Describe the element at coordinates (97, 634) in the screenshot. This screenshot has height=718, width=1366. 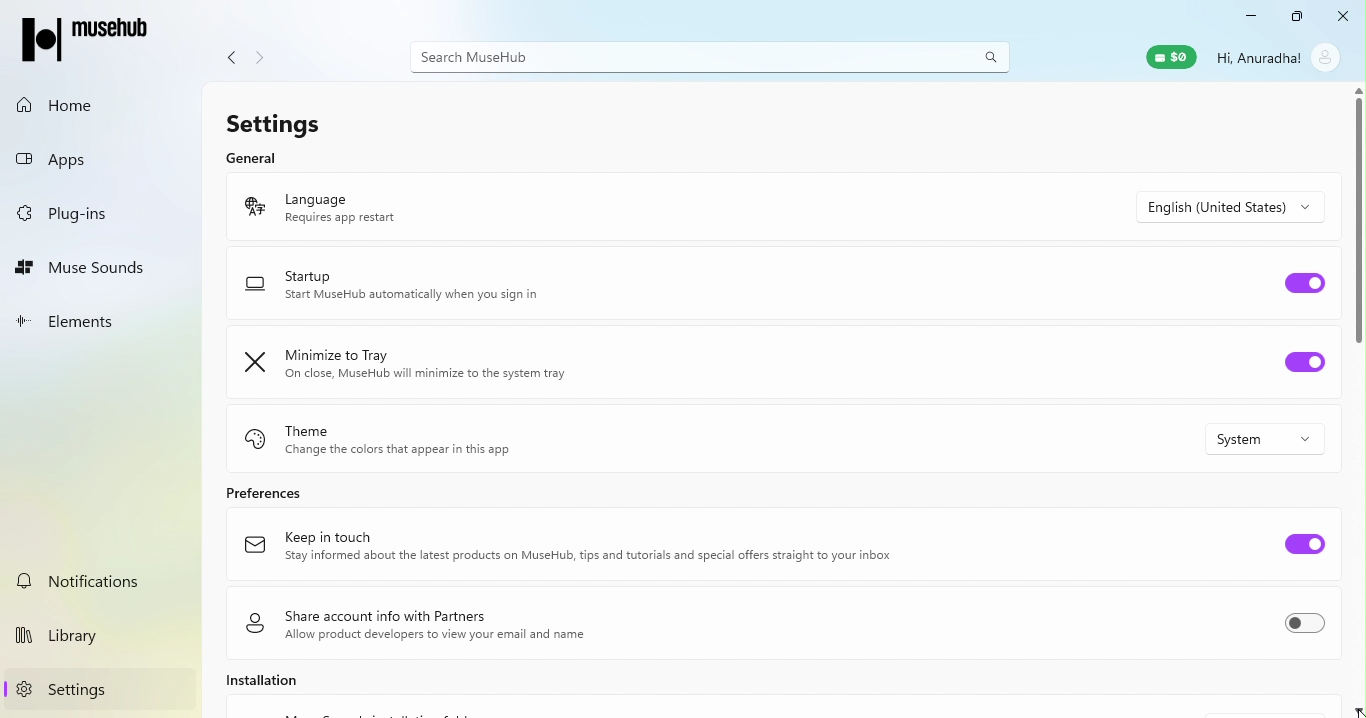
I see `Library` at that location.